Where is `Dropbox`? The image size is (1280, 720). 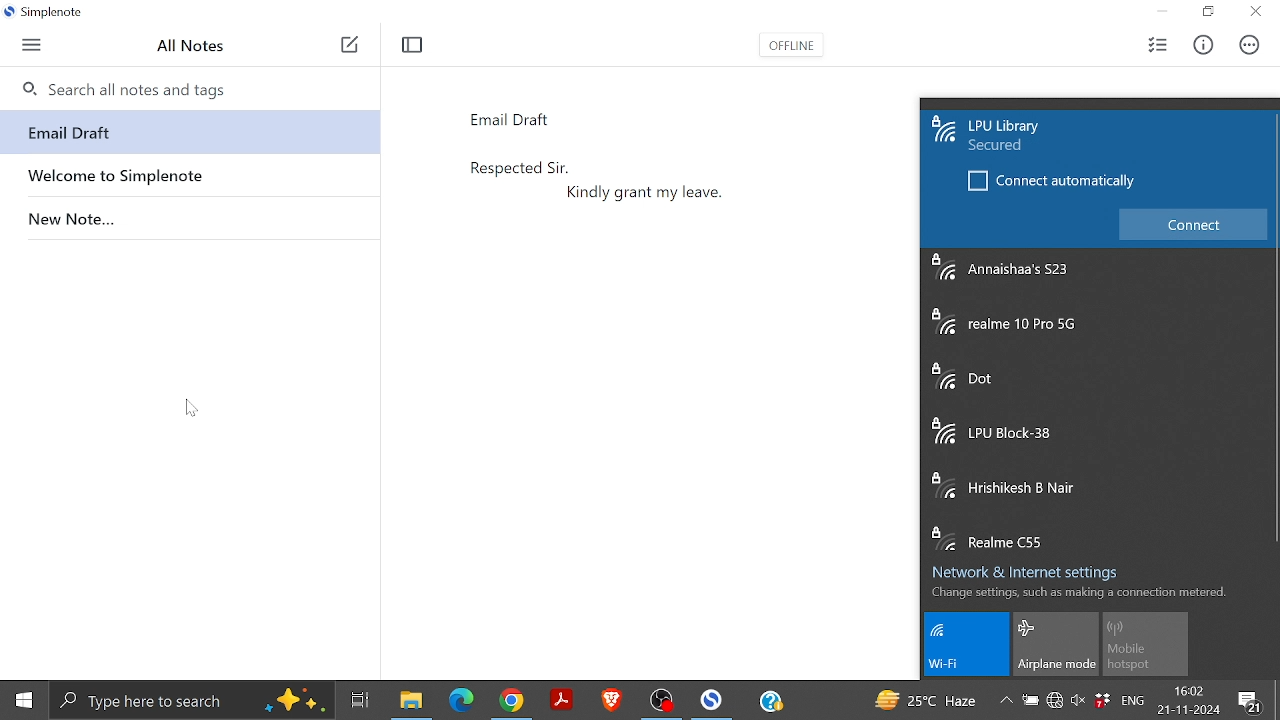 Dropbox is located at coordinates (1103, 700).